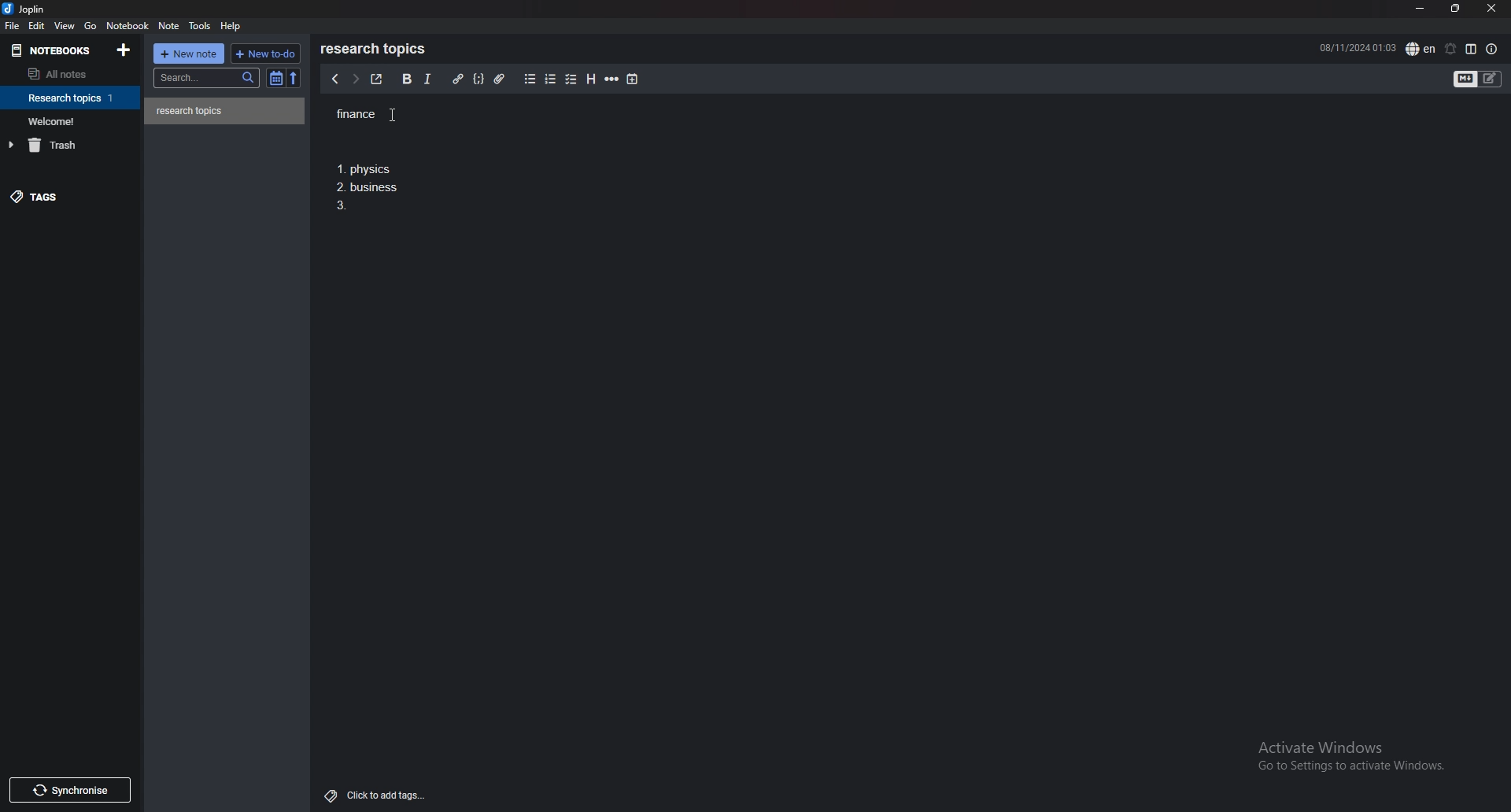 This screenshot has width=1511, height=812. I want to click on next, so click(353, 80).